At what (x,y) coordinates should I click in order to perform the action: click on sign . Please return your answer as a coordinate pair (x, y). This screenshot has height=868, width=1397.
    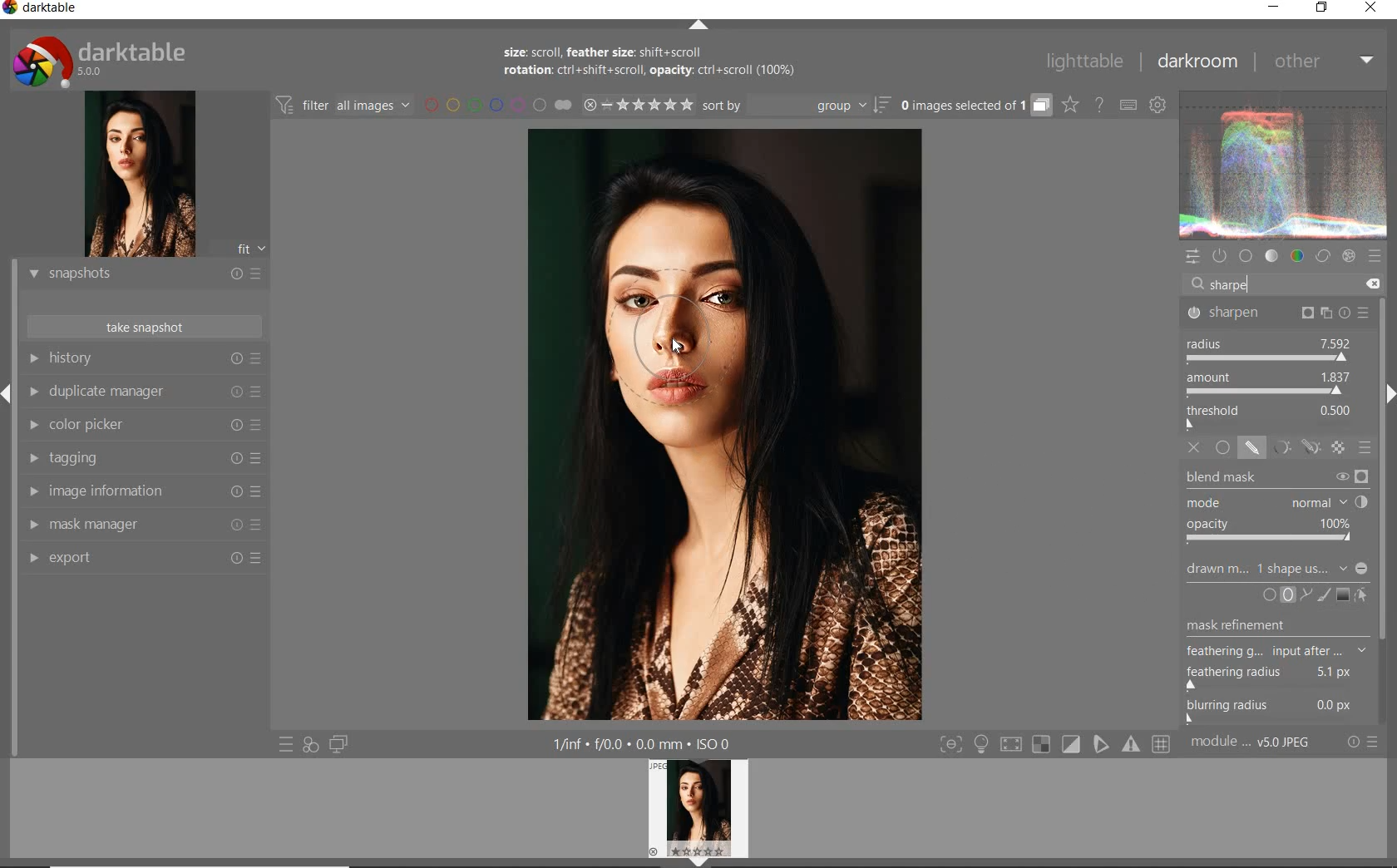
    Looking at the image, I should click on (1072, 745).